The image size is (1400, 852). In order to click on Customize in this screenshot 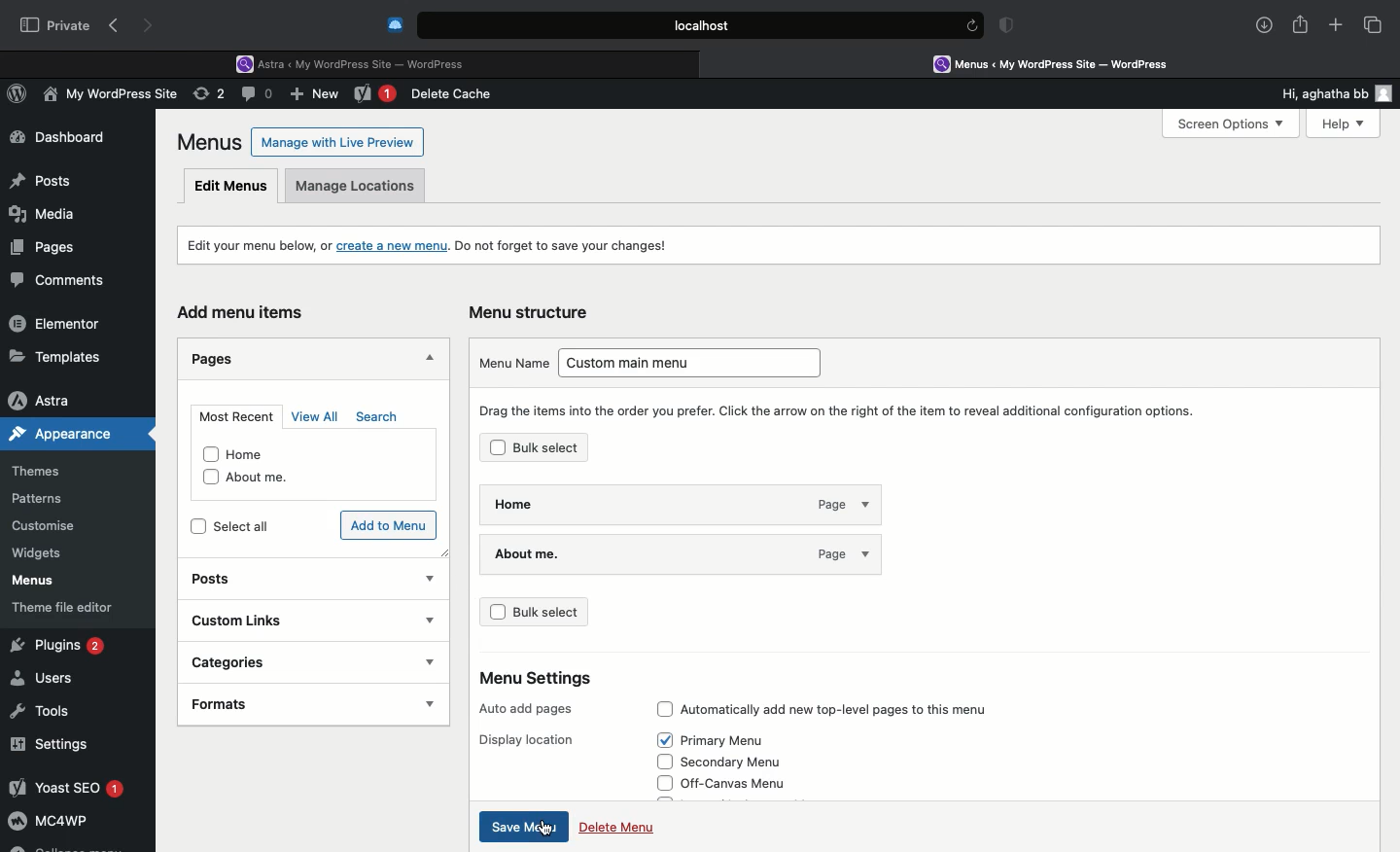, I will do `click(47, 529)`.